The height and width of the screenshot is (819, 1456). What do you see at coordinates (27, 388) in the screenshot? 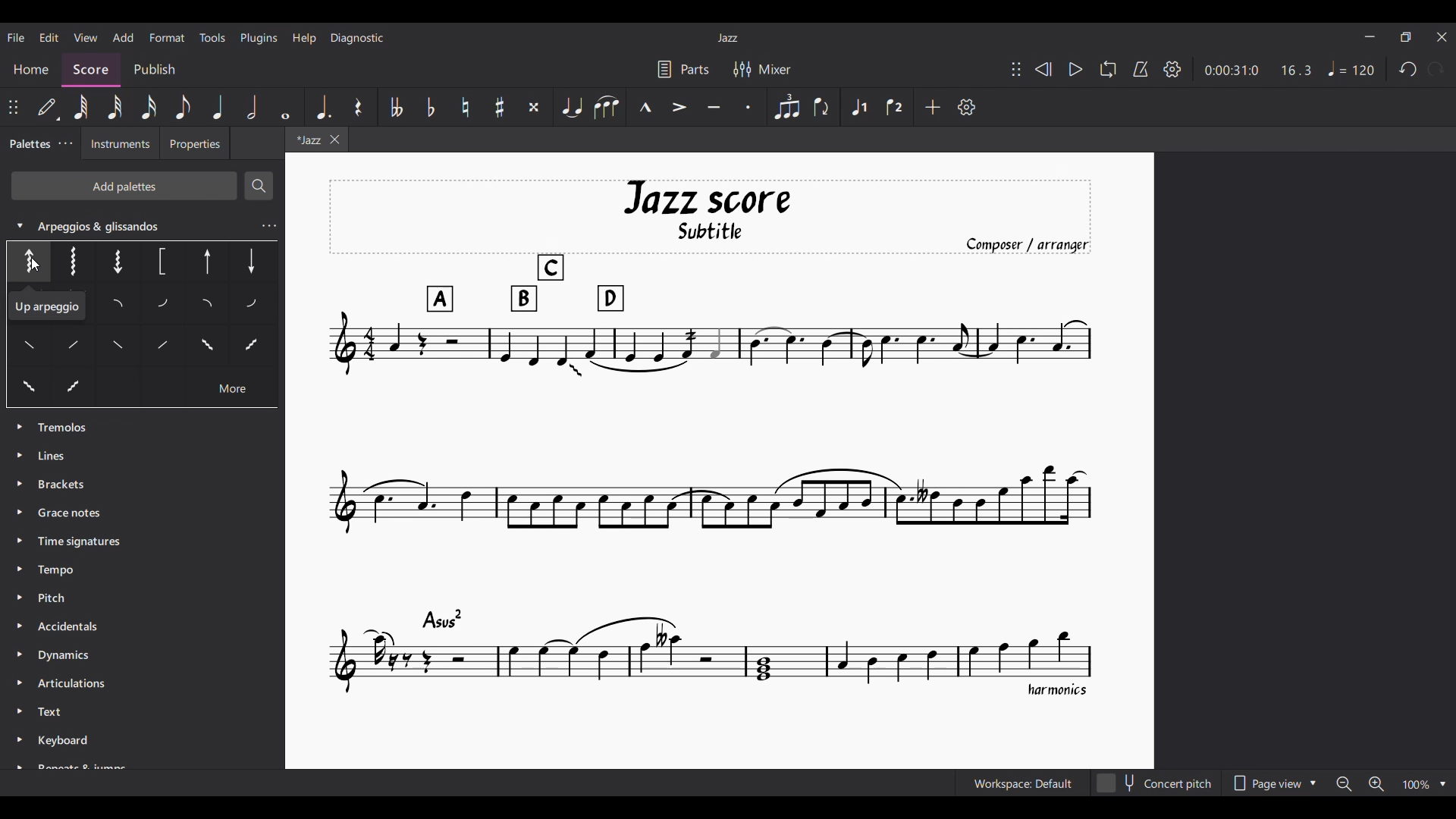
I see `` at bounding box center [27, 388].